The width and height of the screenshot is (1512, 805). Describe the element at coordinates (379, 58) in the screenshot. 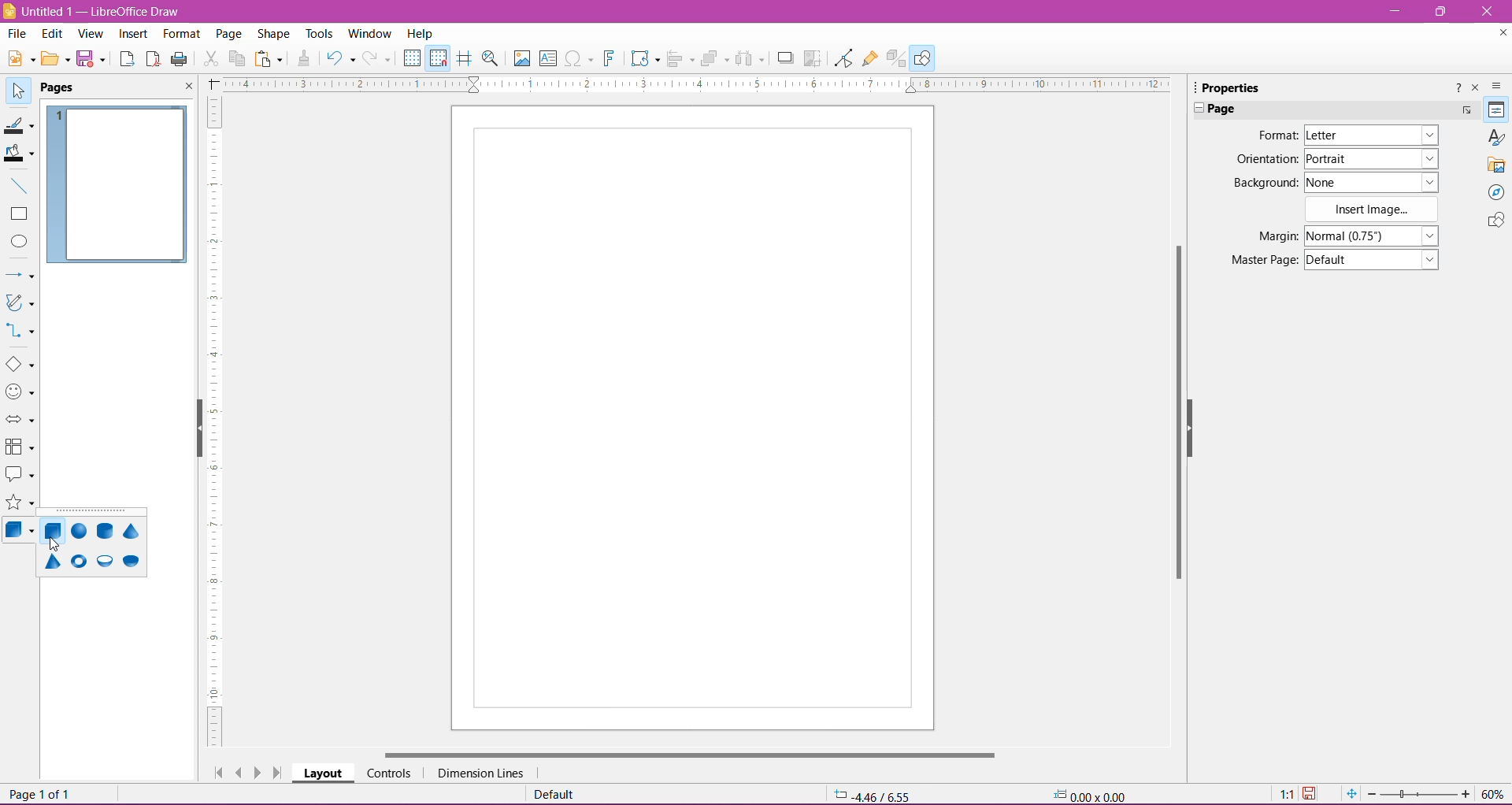

I see `` at that location.